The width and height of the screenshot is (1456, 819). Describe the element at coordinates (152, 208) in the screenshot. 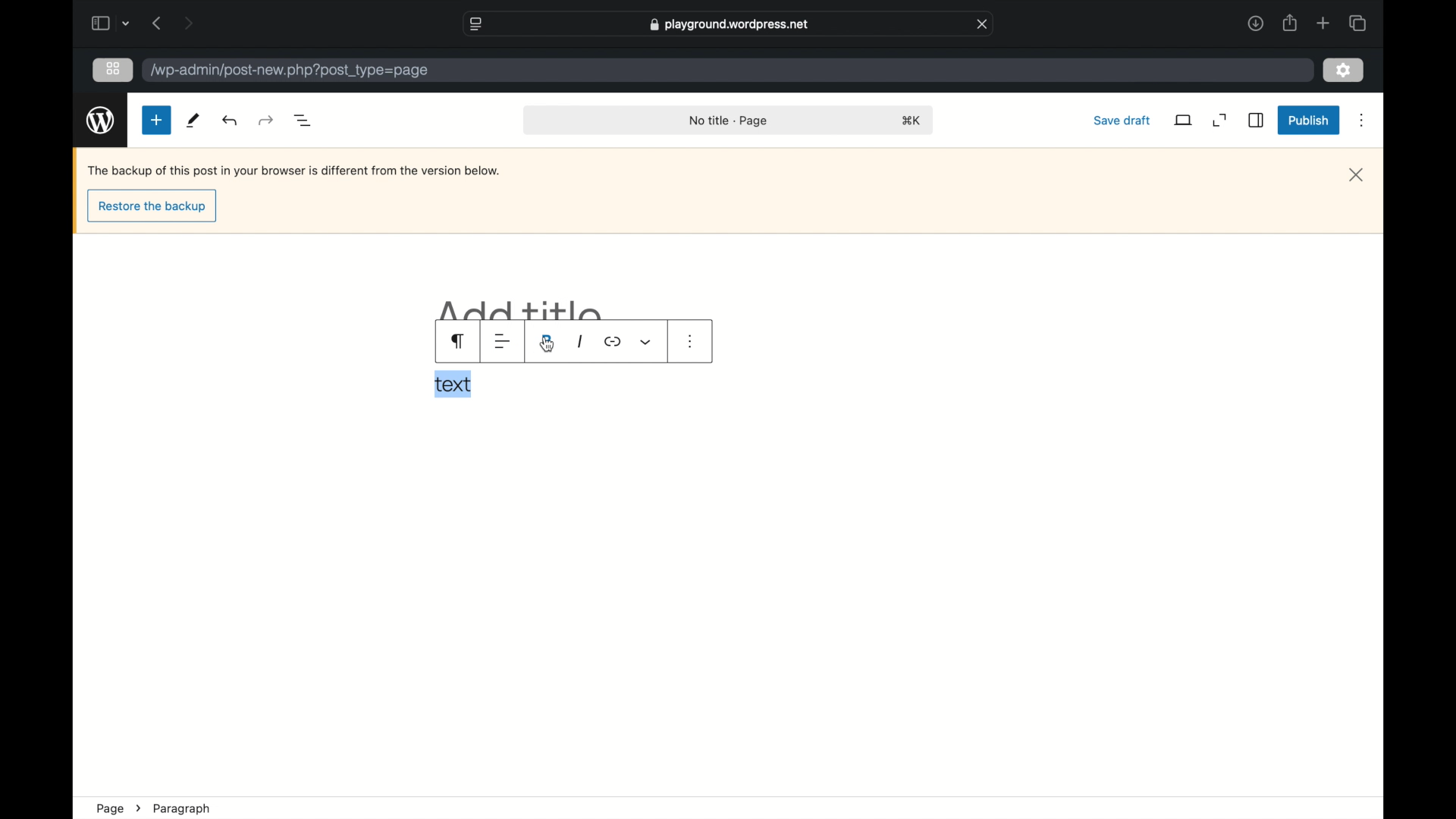

I see `restore the backup` at that location.